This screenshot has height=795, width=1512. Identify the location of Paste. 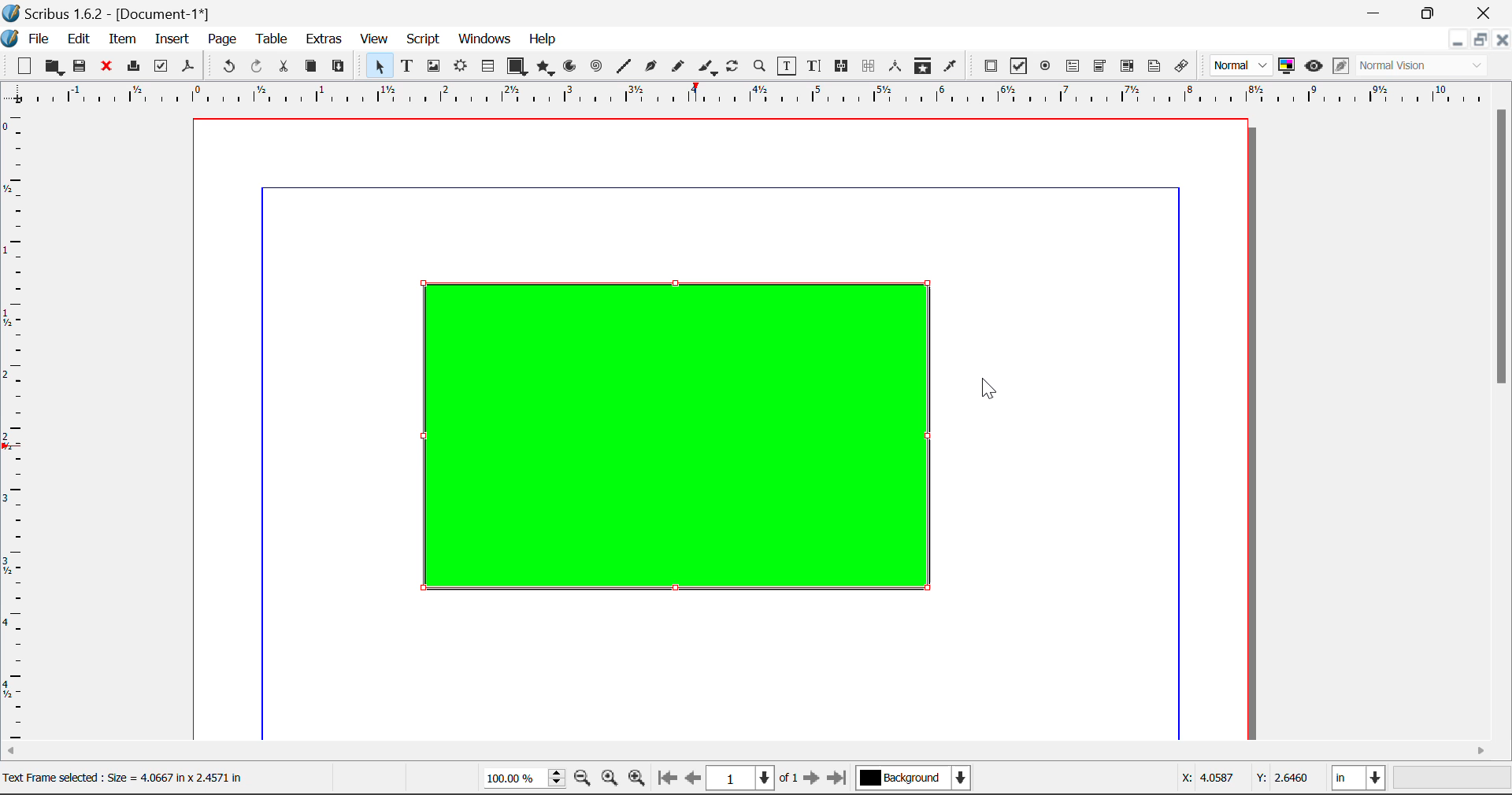
(339, 67).